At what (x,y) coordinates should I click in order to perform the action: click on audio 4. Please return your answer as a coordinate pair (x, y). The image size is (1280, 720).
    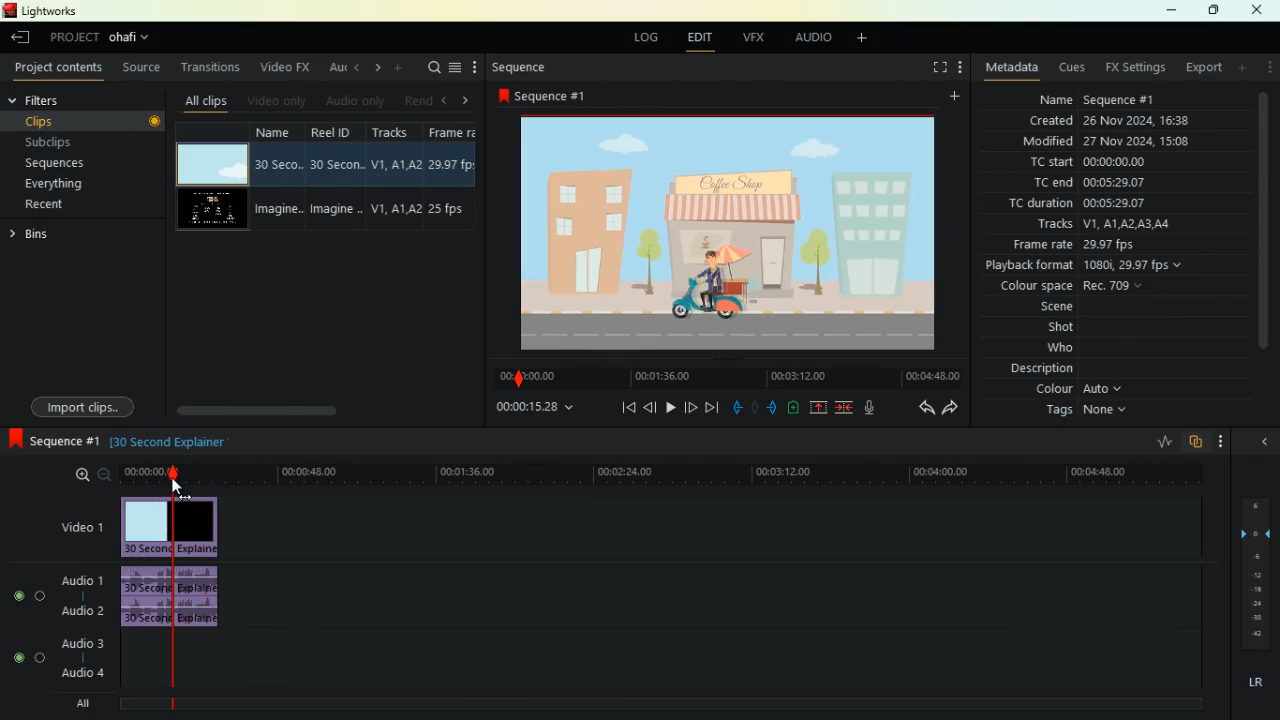
    Looking at the image, I should click on (75, 674).